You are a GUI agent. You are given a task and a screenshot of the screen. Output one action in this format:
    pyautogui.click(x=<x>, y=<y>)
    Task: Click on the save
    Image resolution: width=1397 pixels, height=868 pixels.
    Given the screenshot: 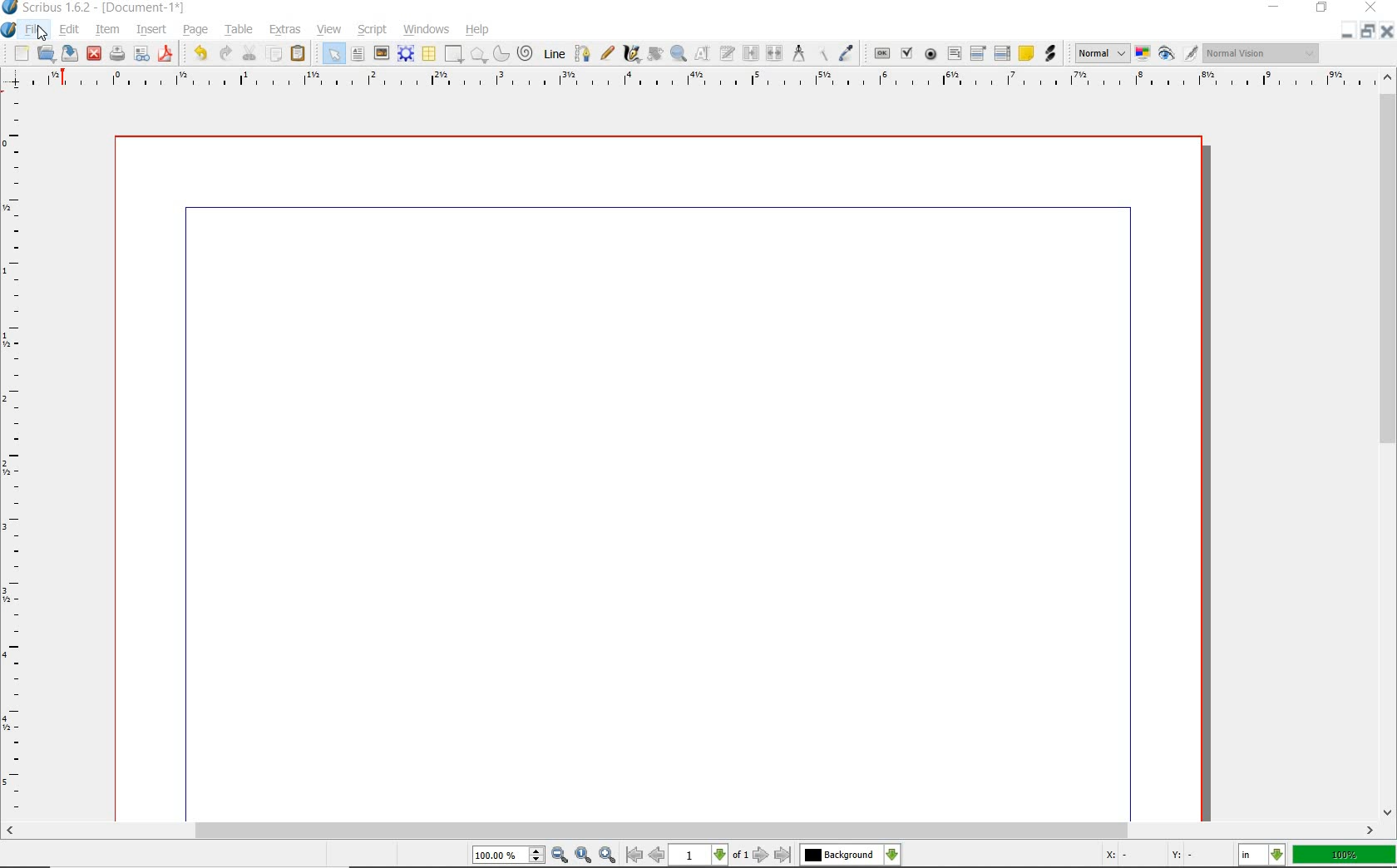 What is the action you would take?
    pyautogui.click(x=168, y=52)
    